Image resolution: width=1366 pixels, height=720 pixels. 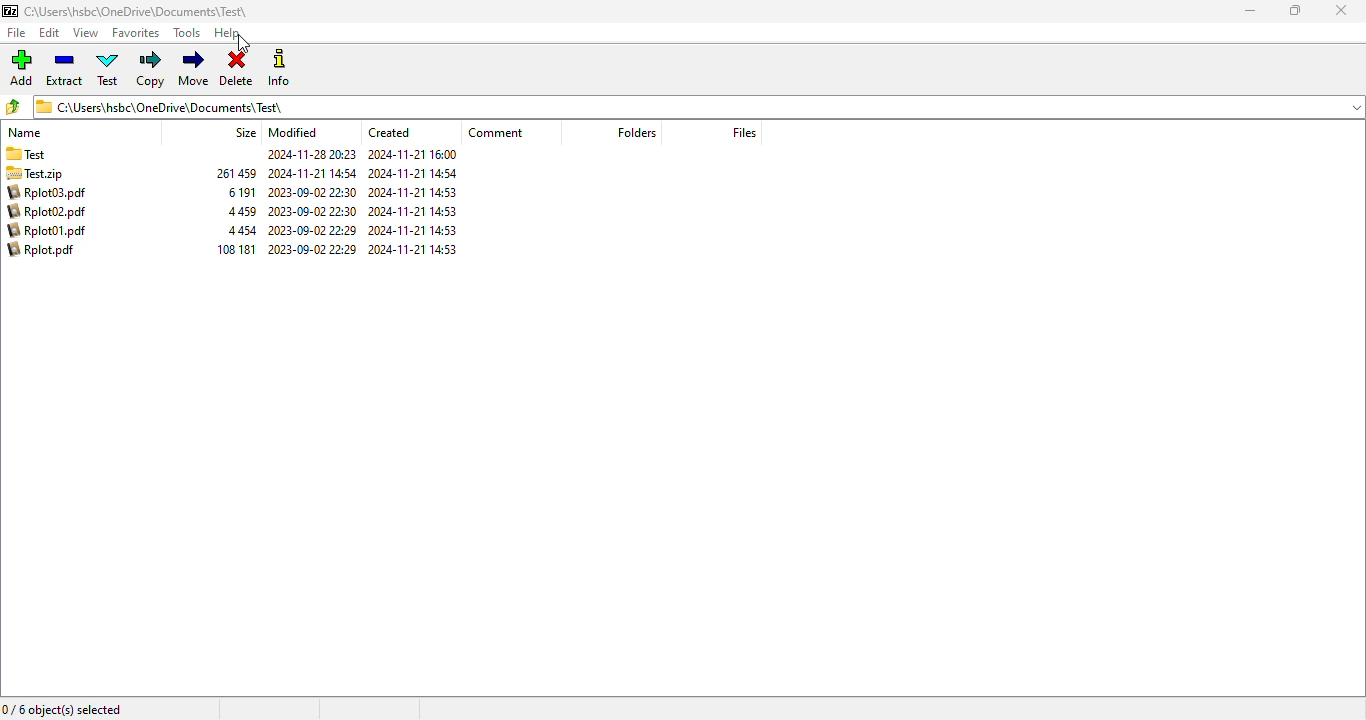 What do you see at coordinates (745, 132) in the screenshot?
I see `files` at bounding box center [745, 132].